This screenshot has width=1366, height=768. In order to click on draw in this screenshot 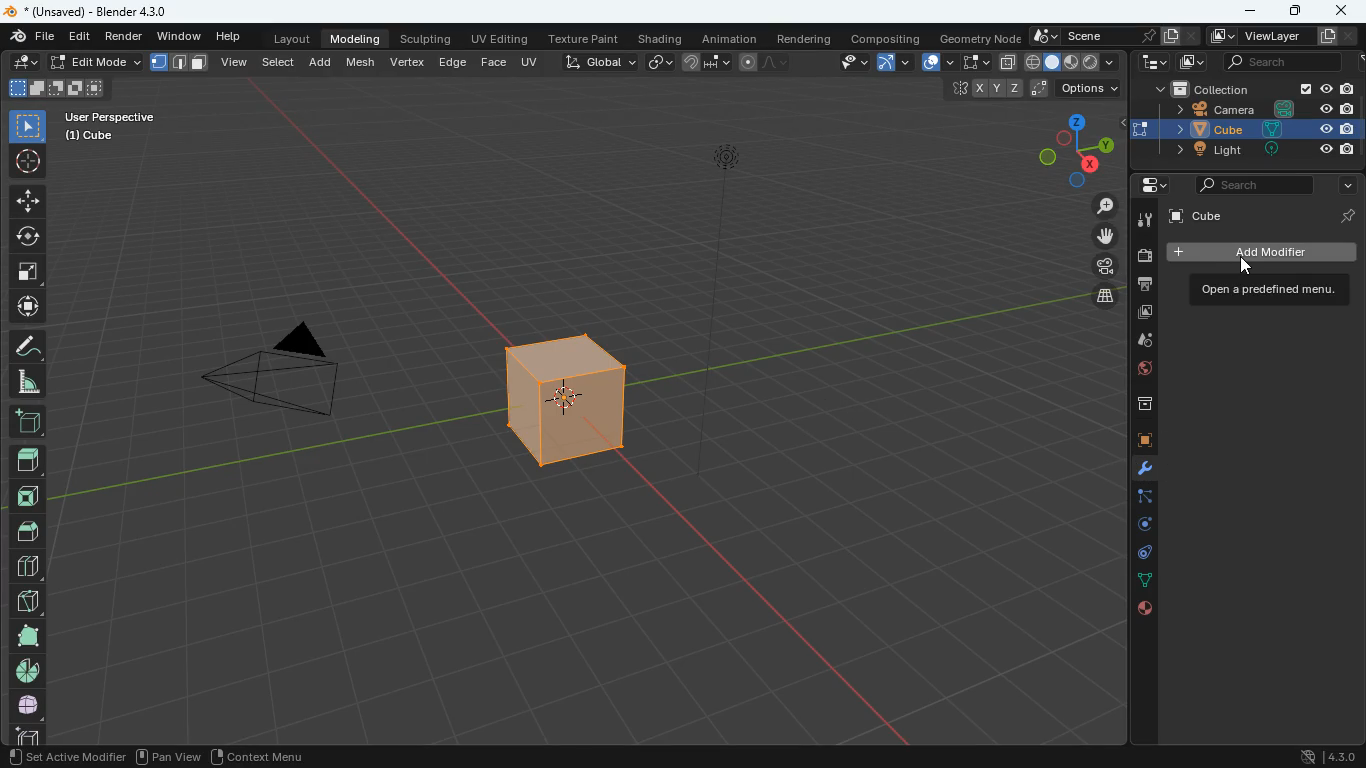, I will do `click(766, 62)`.